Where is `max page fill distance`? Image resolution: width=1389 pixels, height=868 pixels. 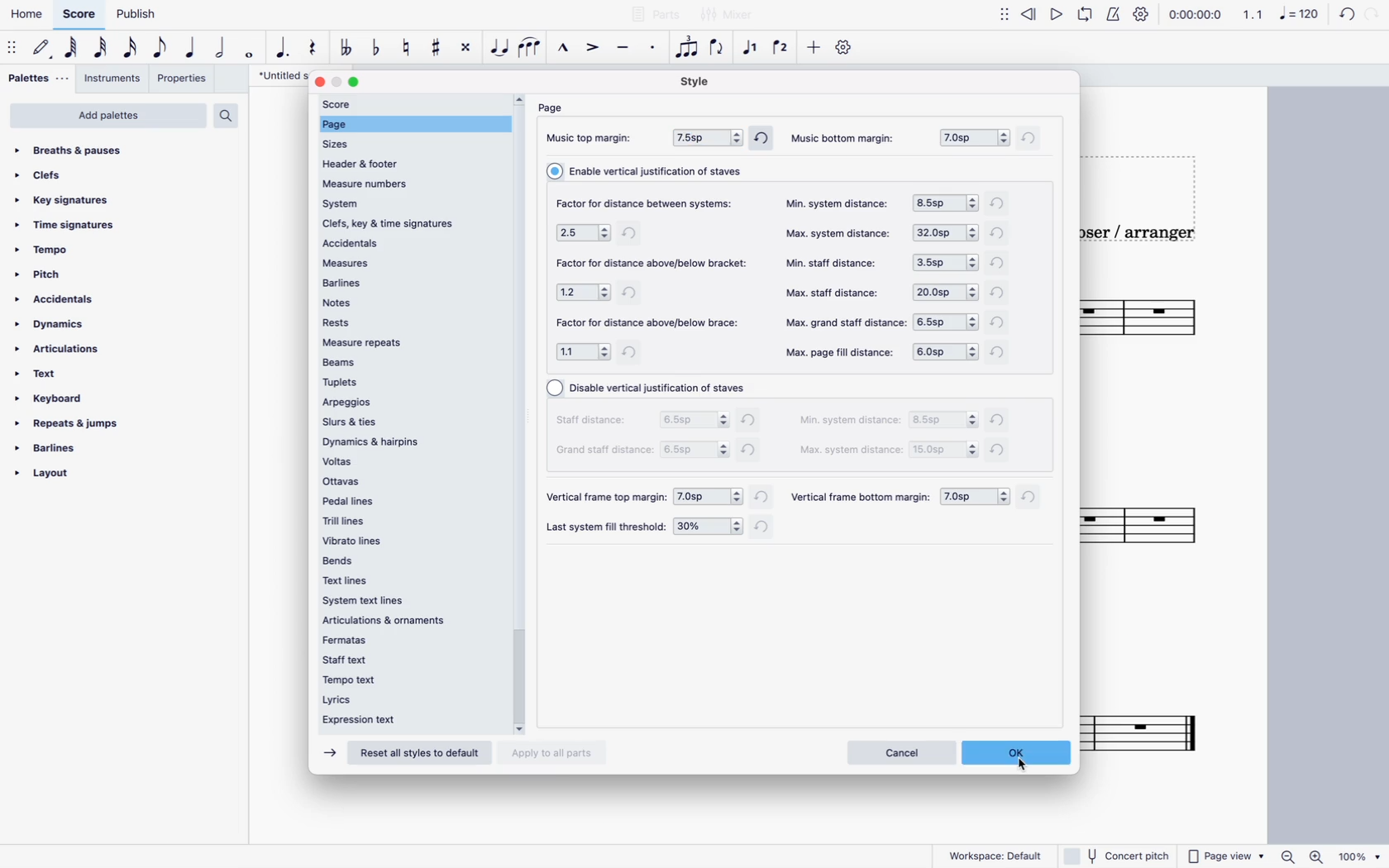 max page fill distance is located at coordinates (840, 352).